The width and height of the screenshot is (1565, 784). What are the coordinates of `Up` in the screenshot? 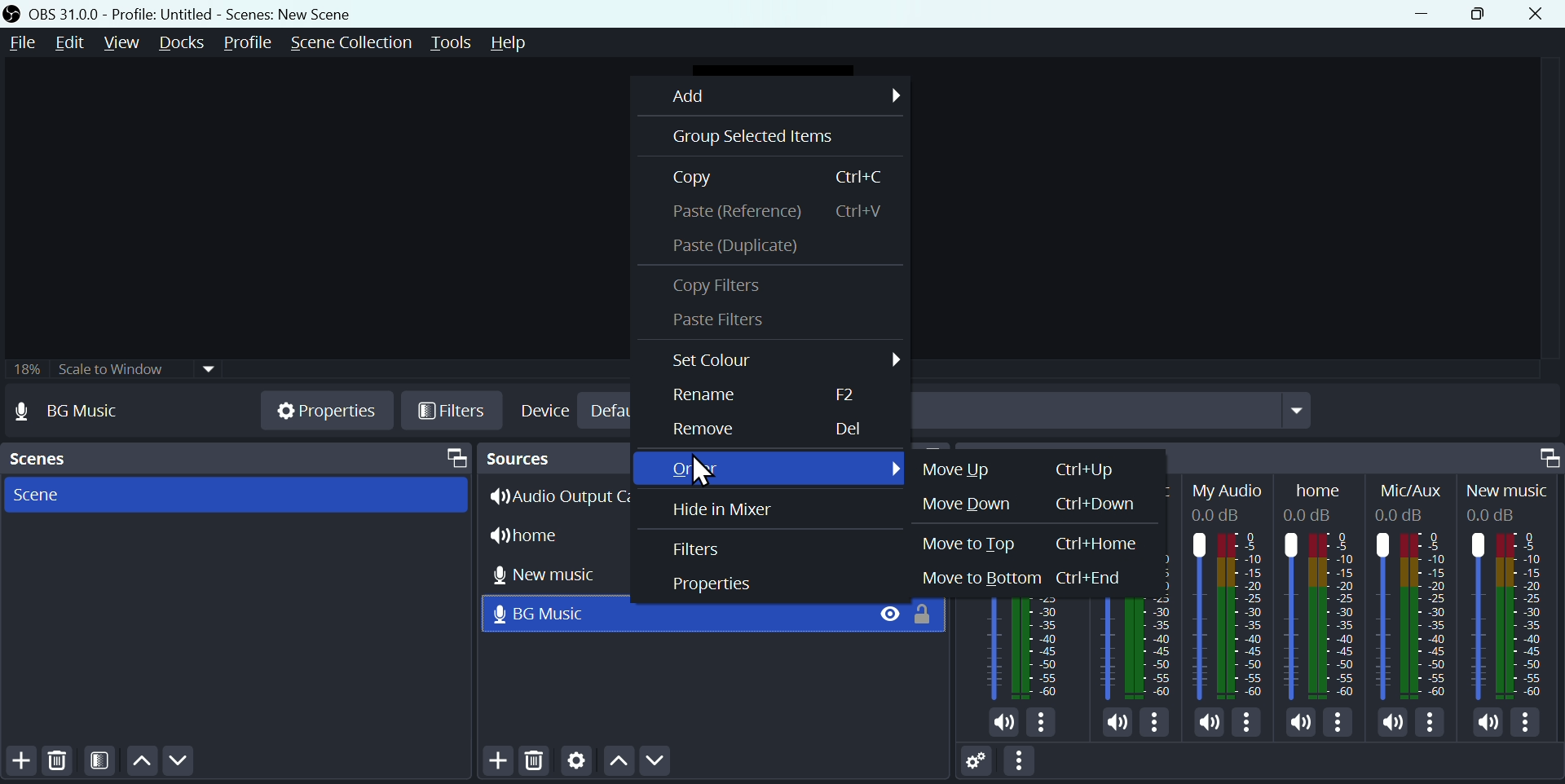 It's located at (615, 762).